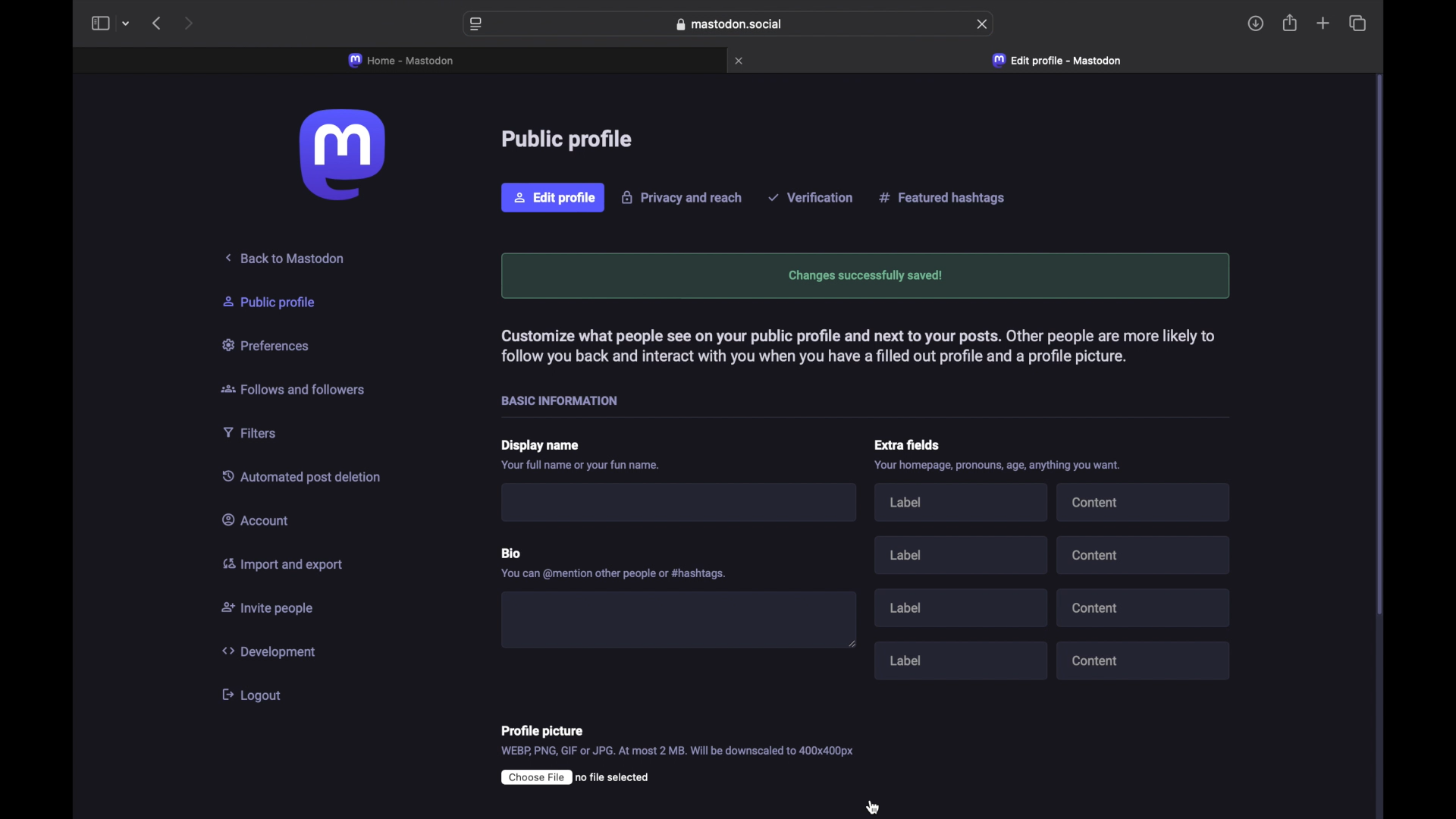  I want to click on Back to Mastodon, so click(285, 260).